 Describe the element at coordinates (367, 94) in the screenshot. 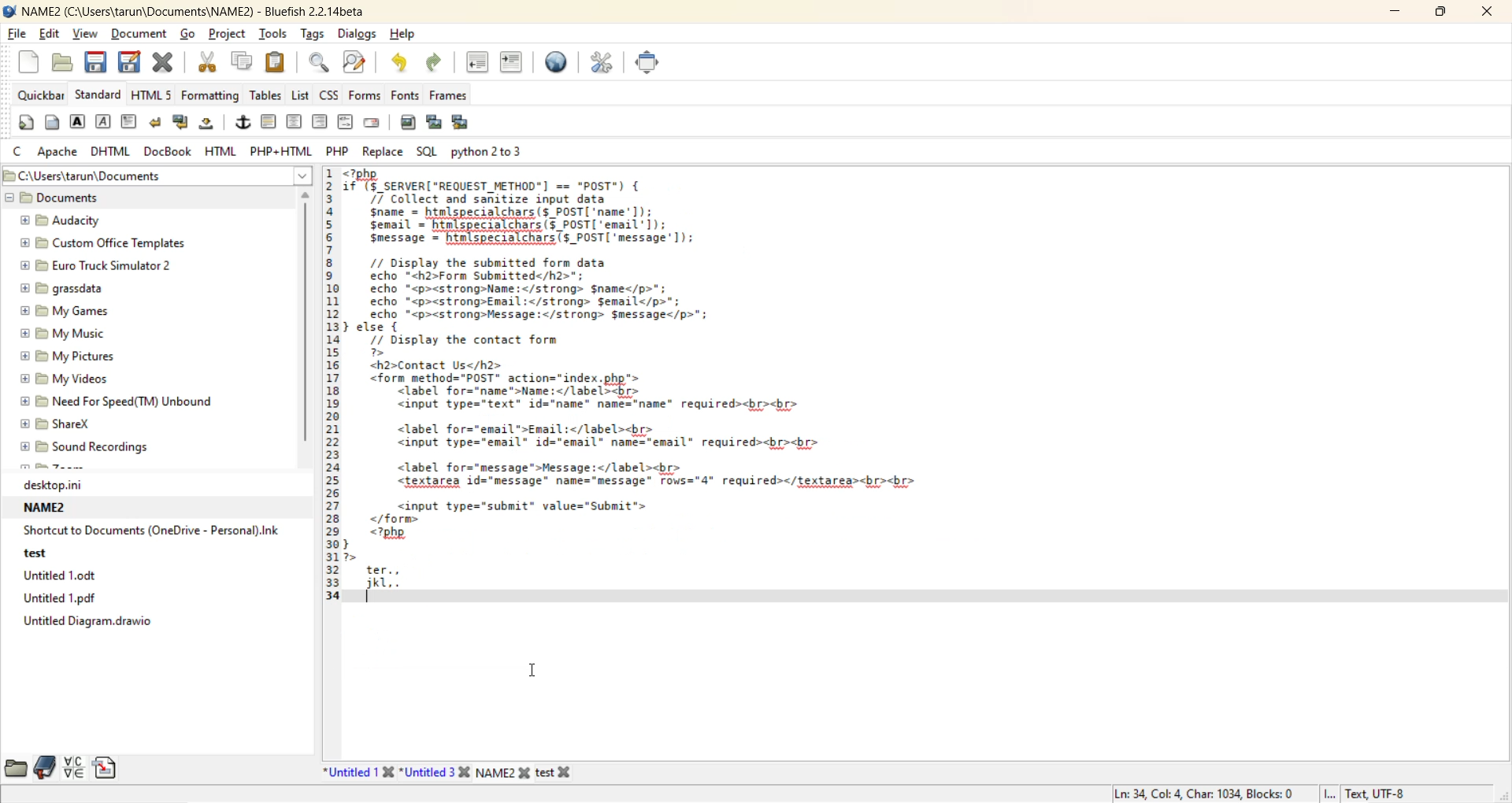

I see `forms` at that location.